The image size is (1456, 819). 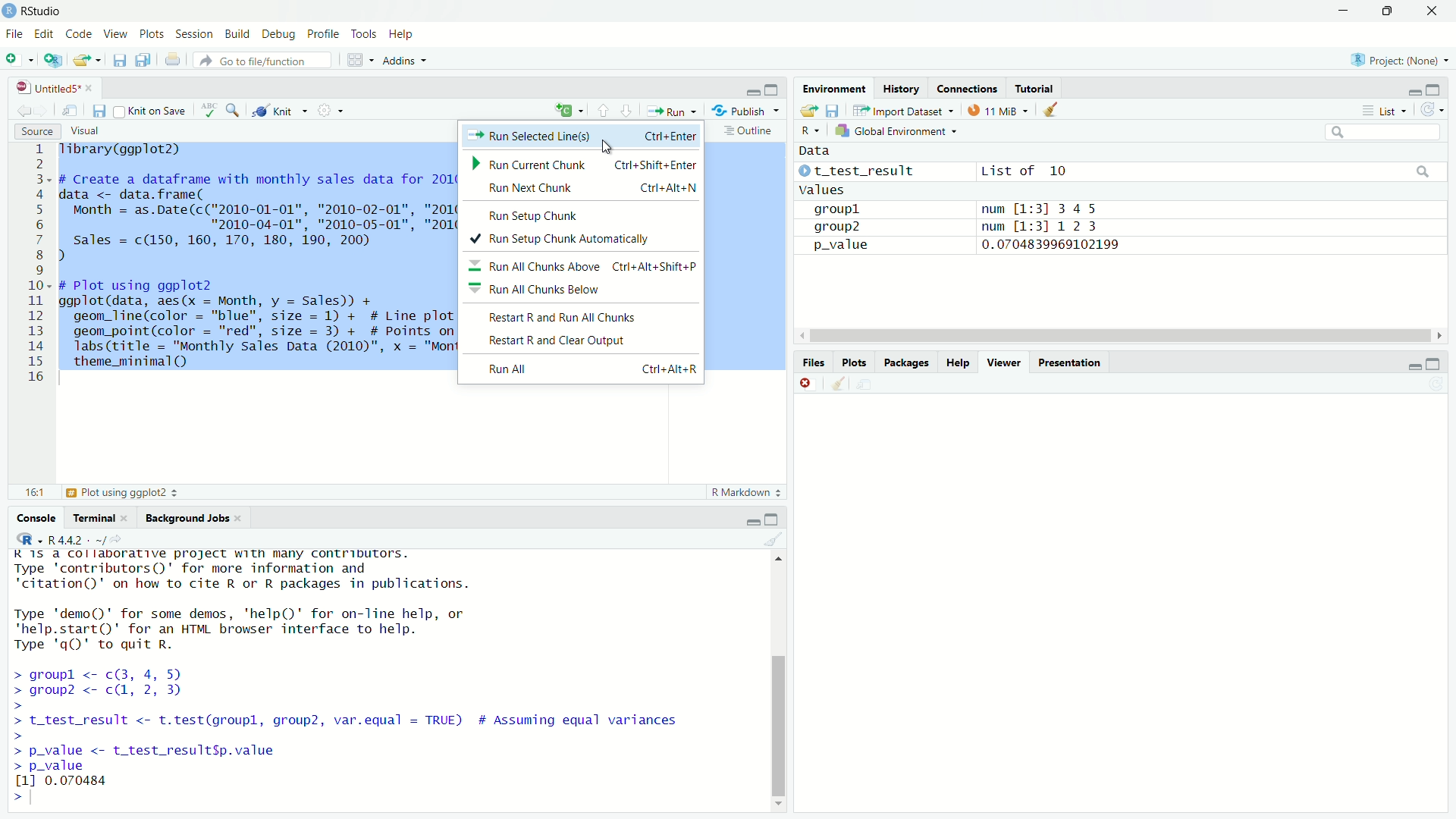 What do you see at coordinates (1119, 336) in the screenshot?
I see `scroll bar` at bounding box center [1119, 336].